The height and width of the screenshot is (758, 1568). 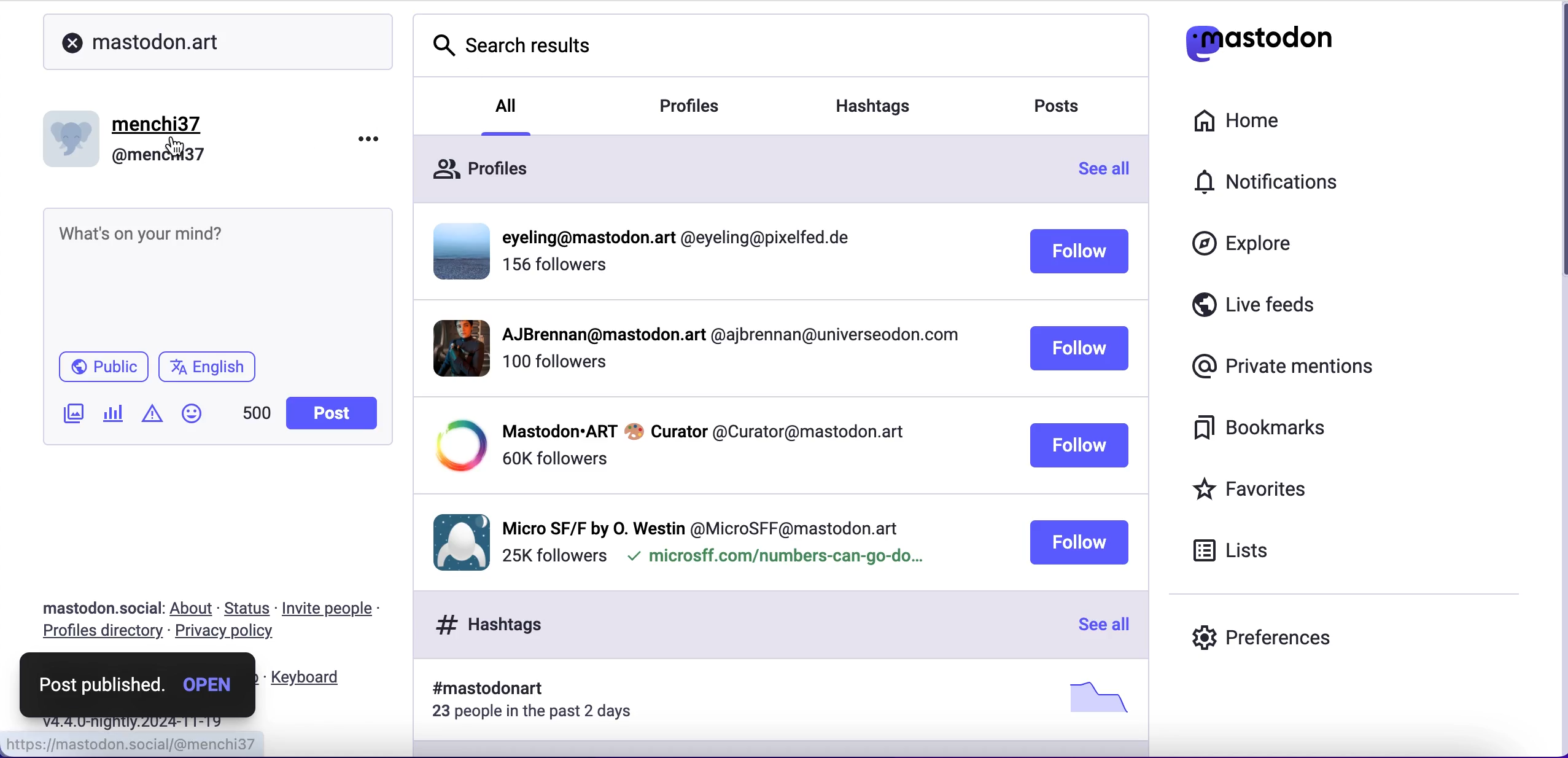 What do you see at coordinates (1241, 554) in the screenshot?
I see `lists` at bounding box center [1241, 554].